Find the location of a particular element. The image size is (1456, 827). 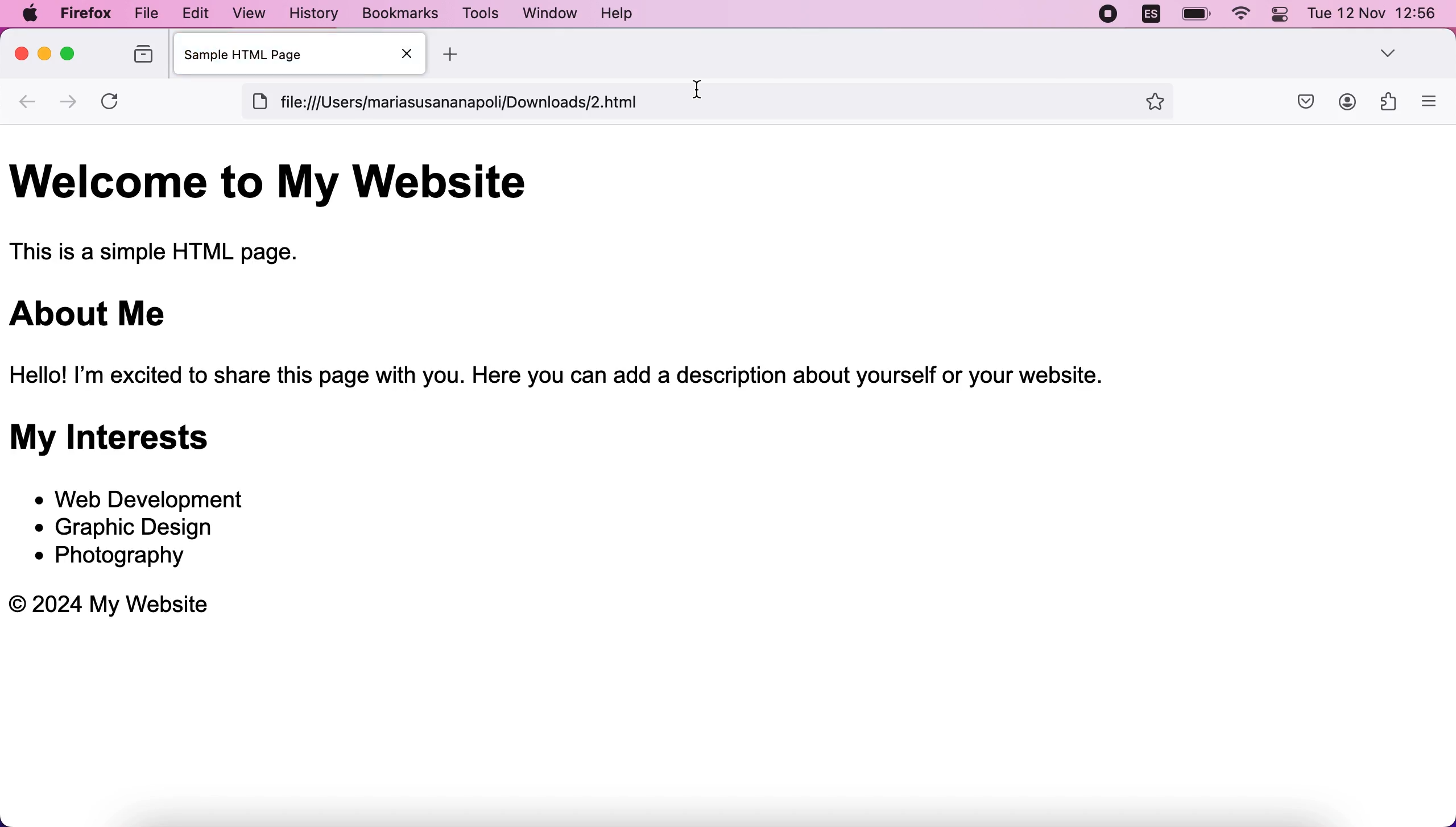

bookmarks is located at coordinates (400, 14).